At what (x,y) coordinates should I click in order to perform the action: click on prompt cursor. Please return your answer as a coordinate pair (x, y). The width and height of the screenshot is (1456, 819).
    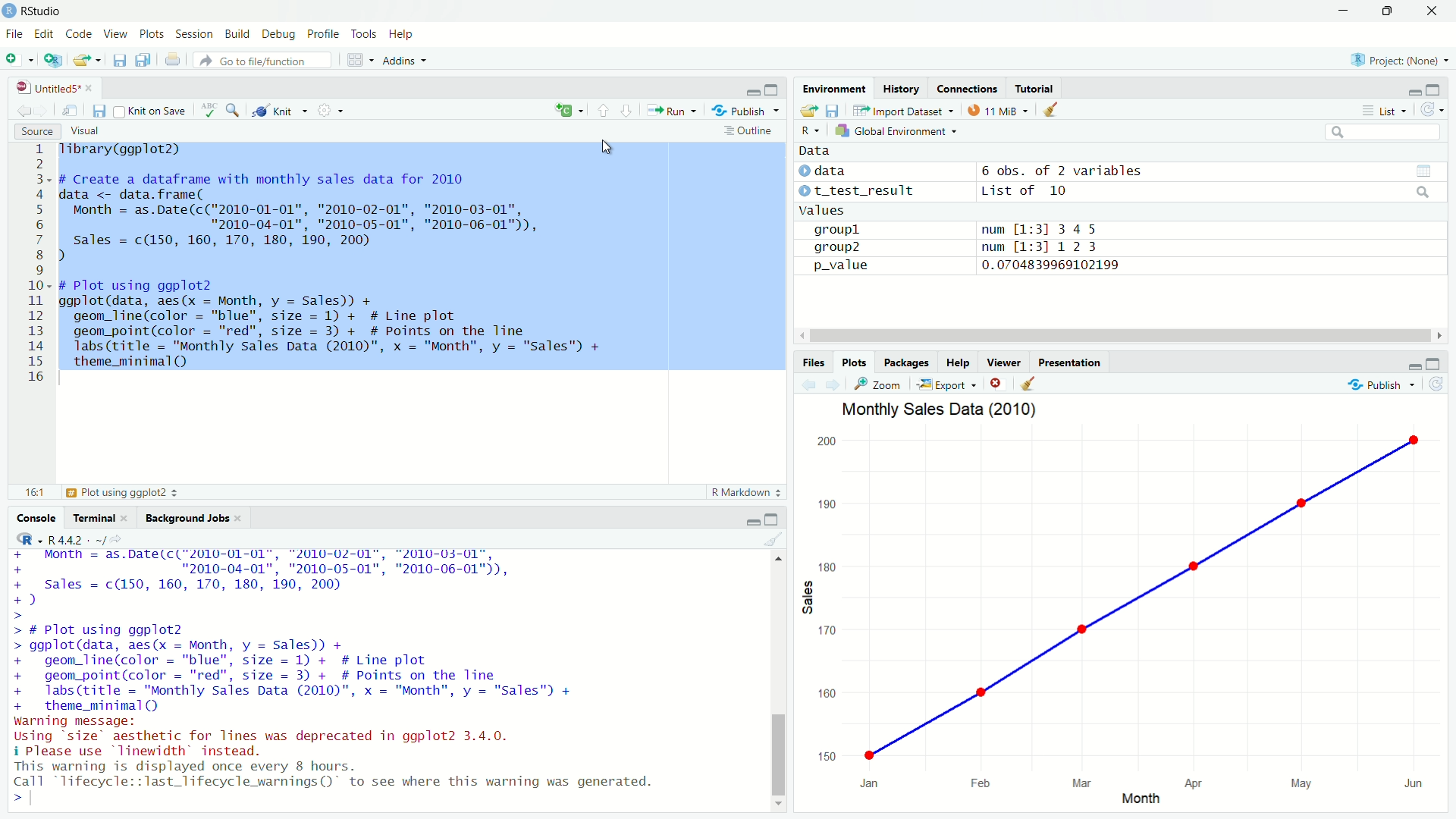
    Looking at the image, I should click on (26, 797).